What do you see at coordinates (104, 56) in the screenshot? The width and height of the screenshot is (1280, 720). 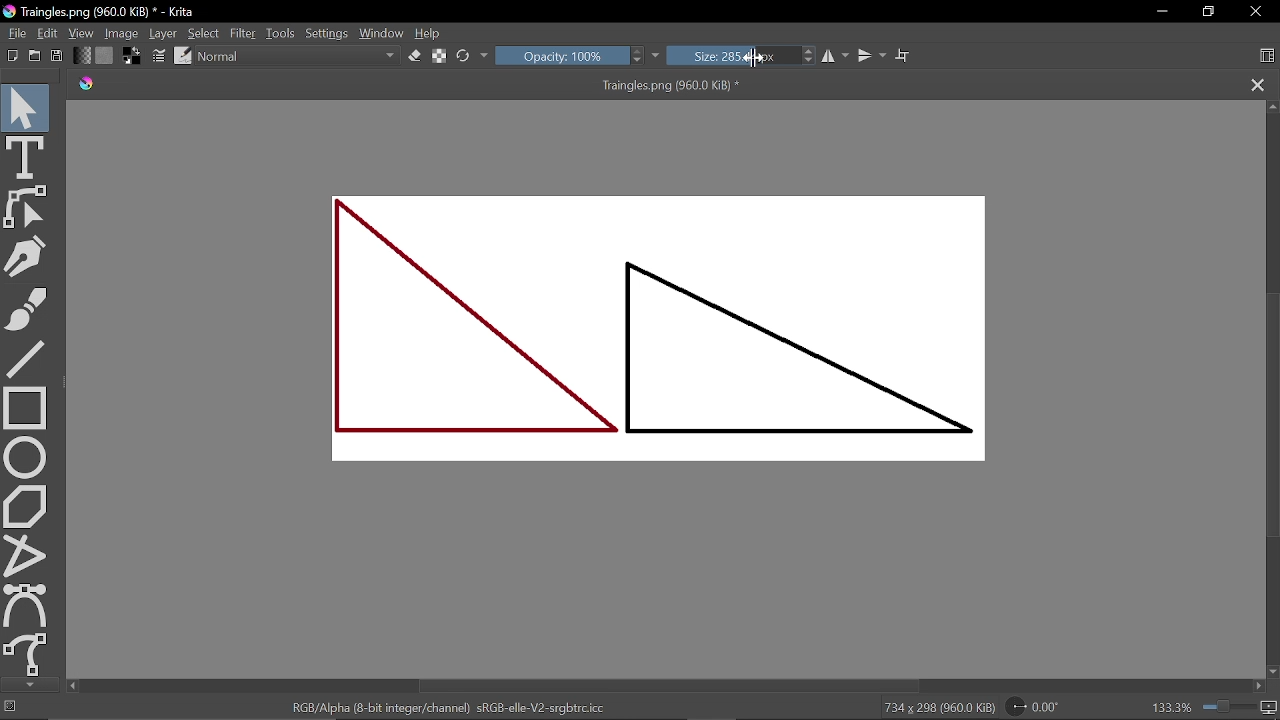 I see `Fill pattern` at bounding box center [104, 56].